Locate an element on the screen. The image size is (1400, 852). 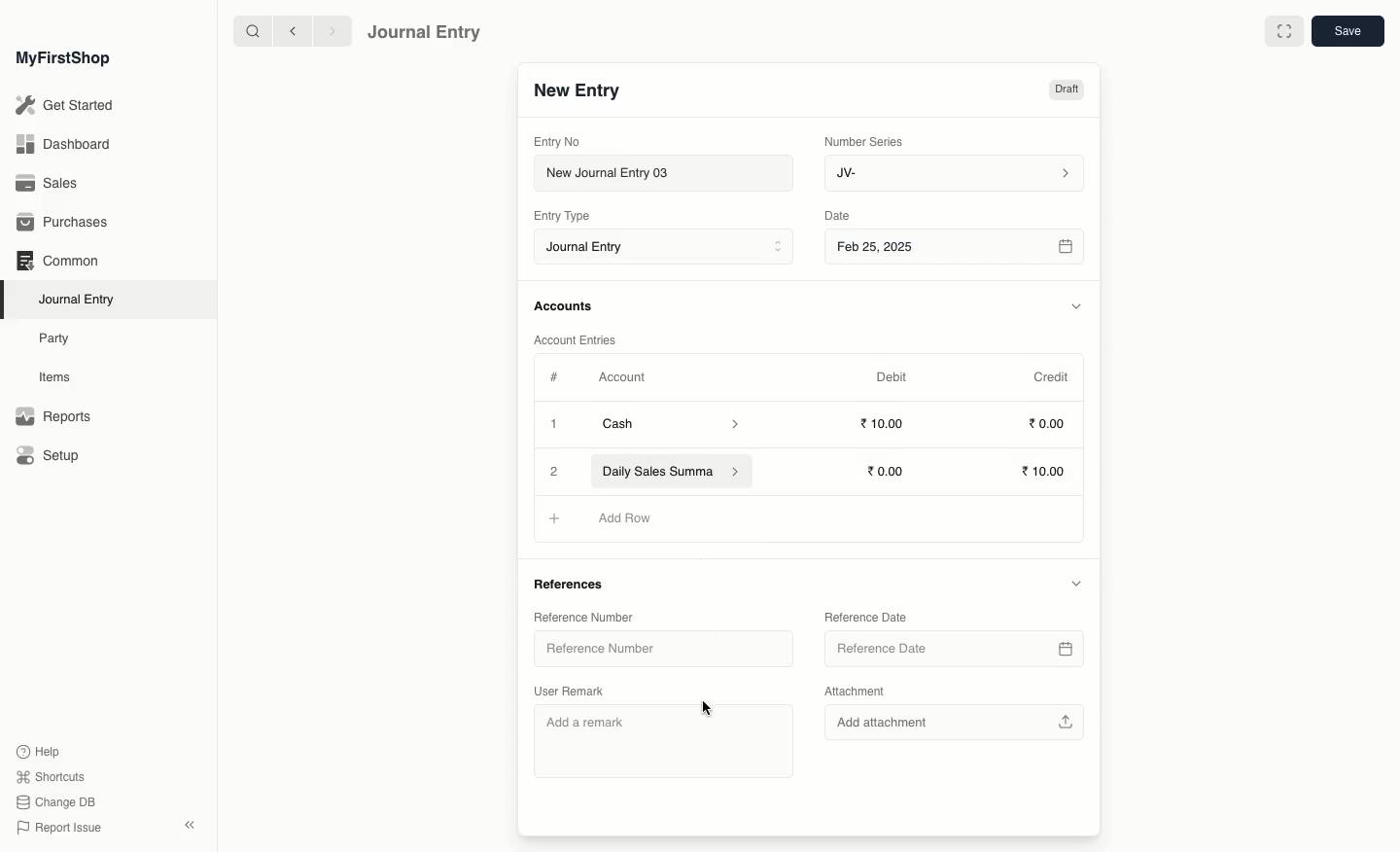
Report Issue is located at coordinates (57, 828).